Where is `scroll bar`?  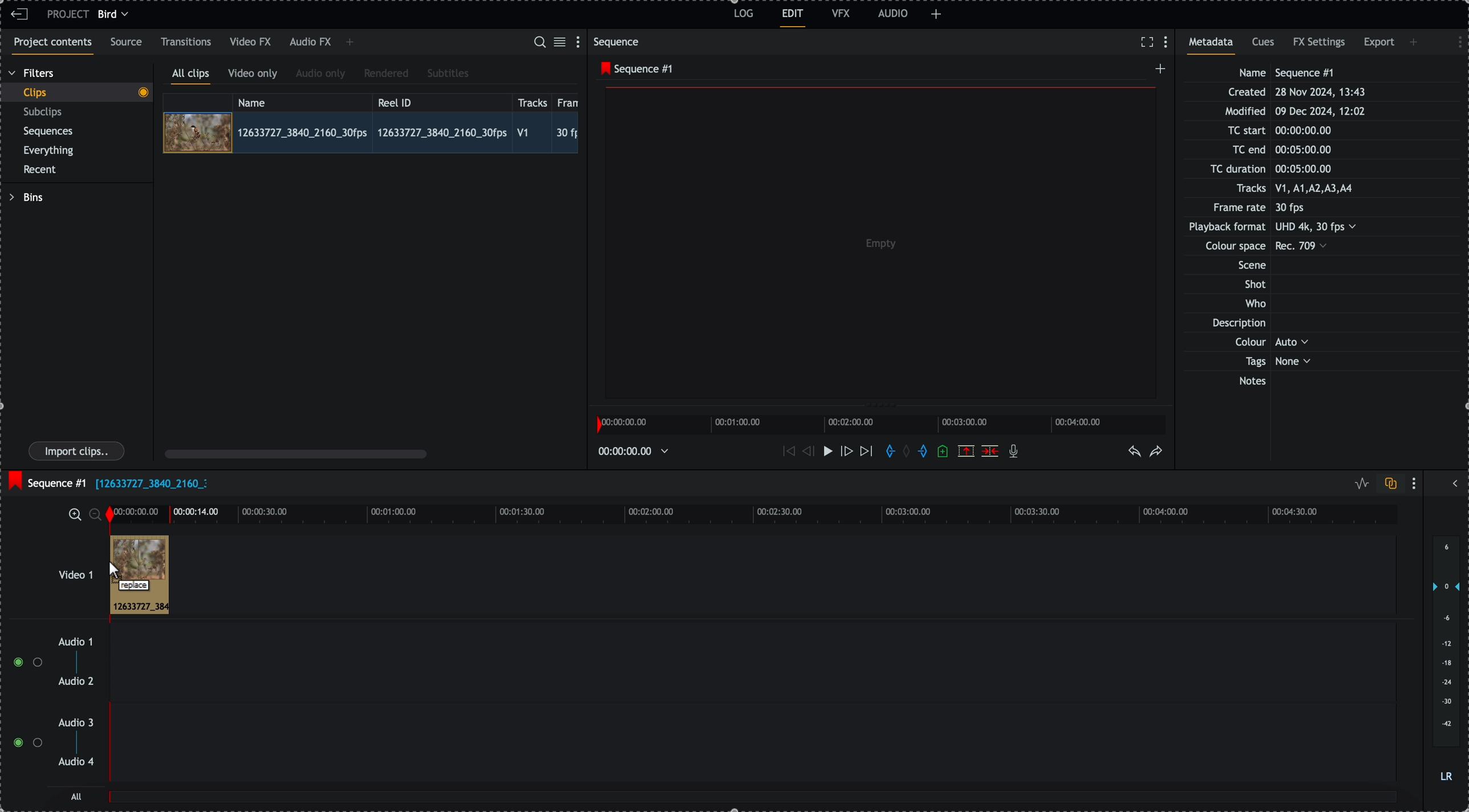 scroll bar is located at coordinates (296, 453).